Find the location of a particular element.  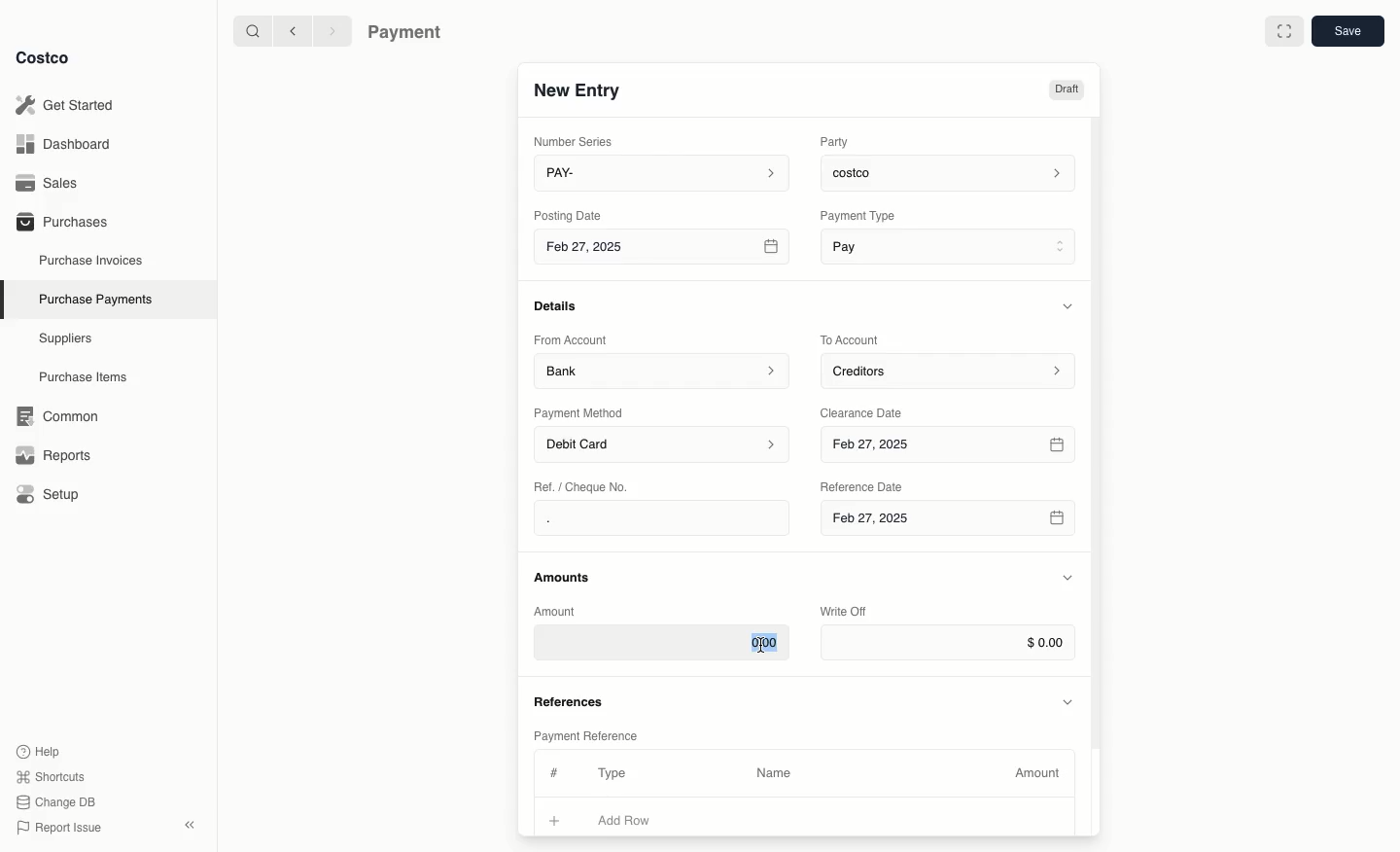

Add Row is located at coordinates (637, 820).